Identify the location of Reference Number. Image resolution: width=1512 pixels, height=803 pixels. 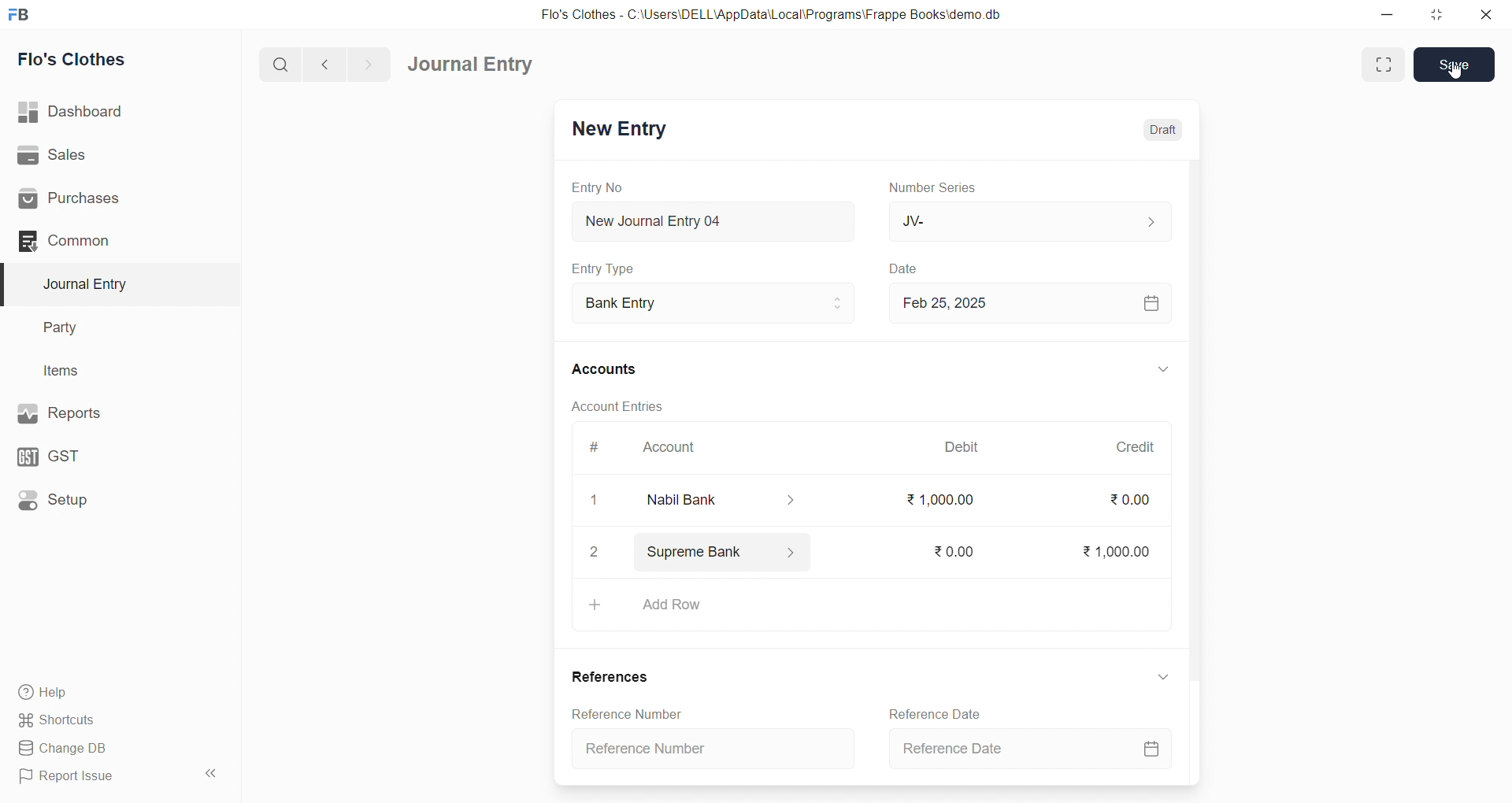
(624, 713).